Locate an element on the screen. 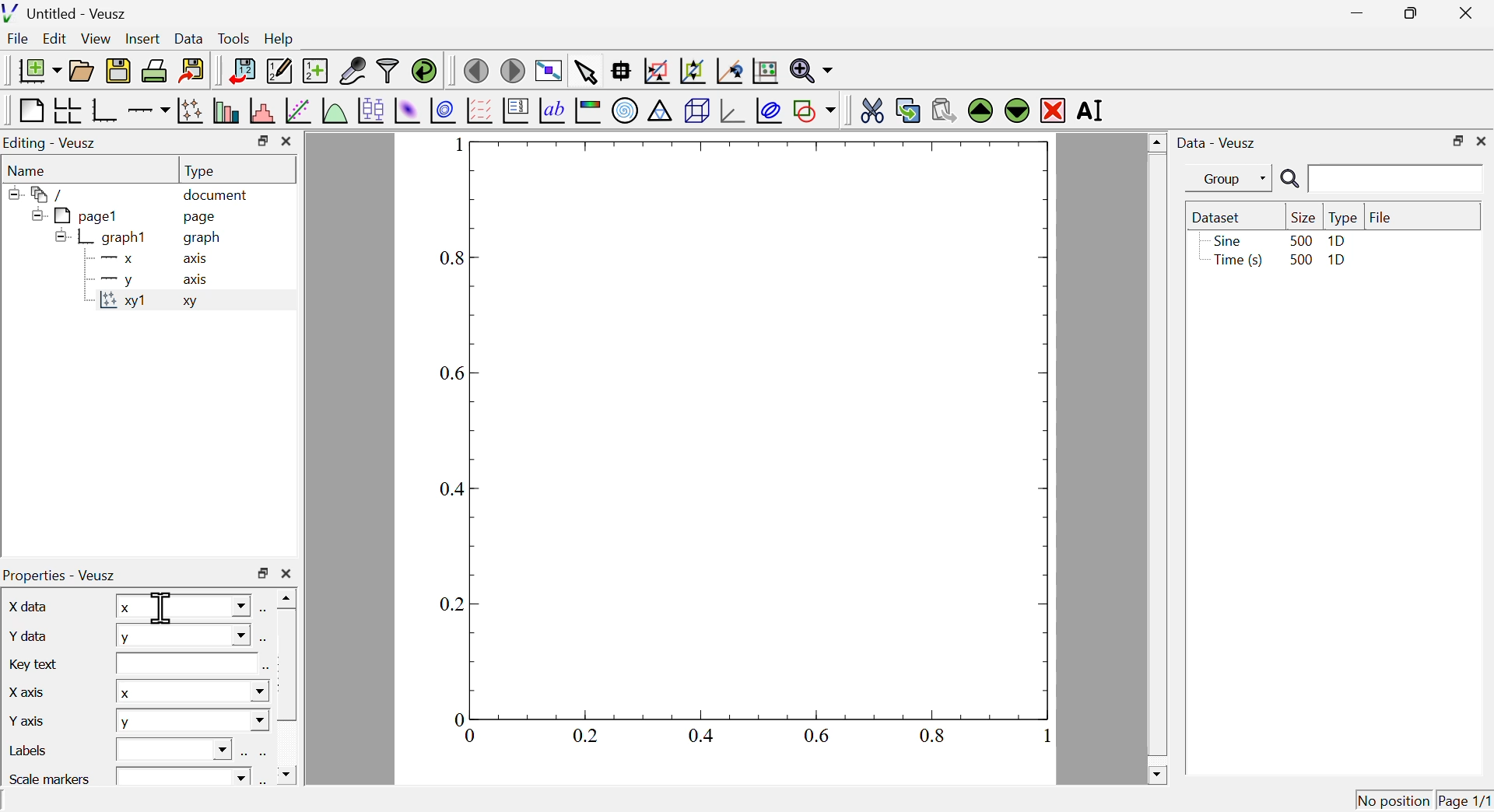 The height and width of the screenshot is (812, 1494). open a document is located at coordinates (83, 69).